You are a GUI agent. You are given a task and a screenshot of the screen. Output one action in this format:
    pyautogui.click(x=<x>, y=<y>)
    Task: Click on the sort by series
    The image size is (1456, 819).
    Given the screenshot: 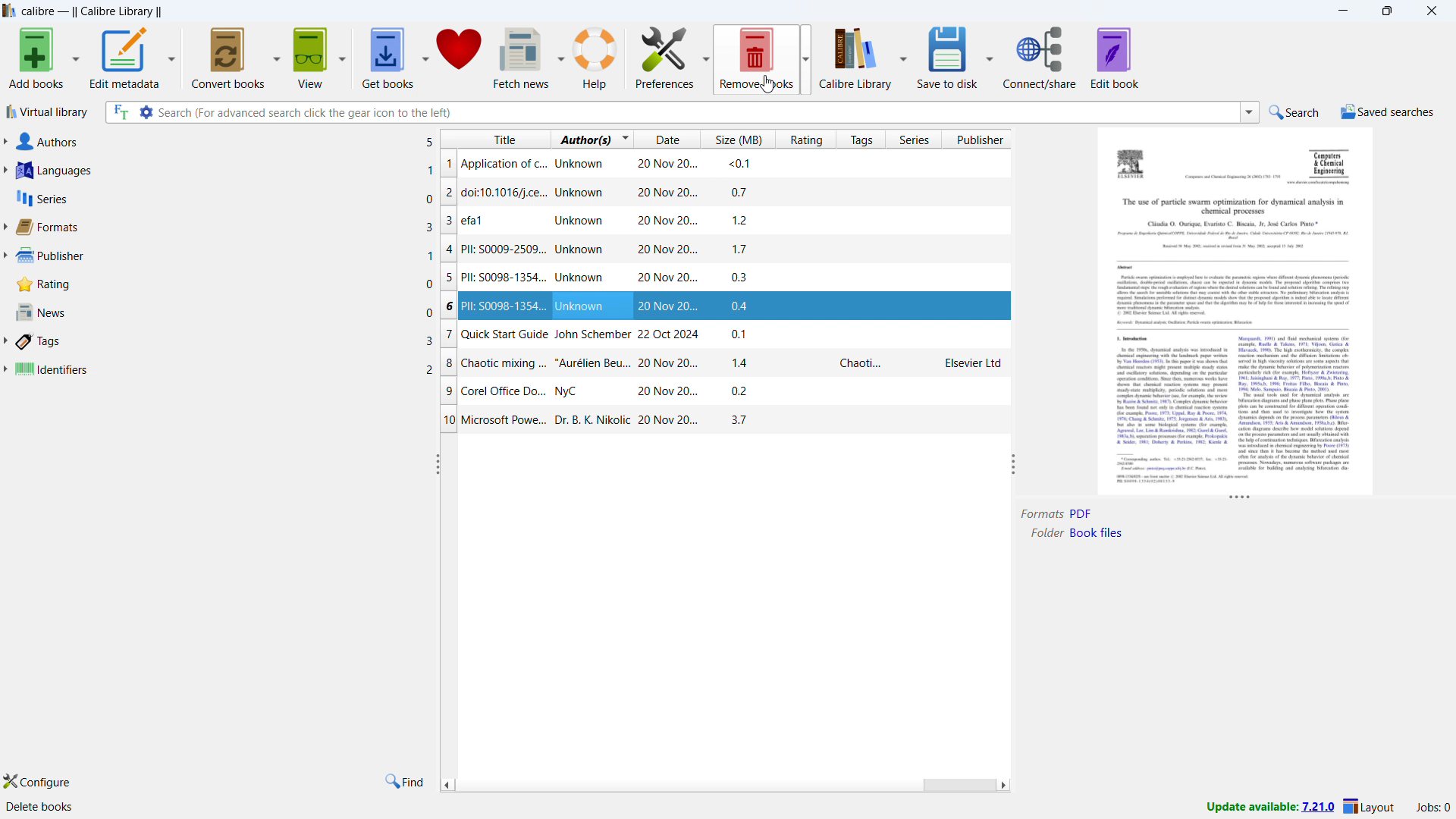 What is the action you would take?
    pyautogui.click(x=912, y=139)
    